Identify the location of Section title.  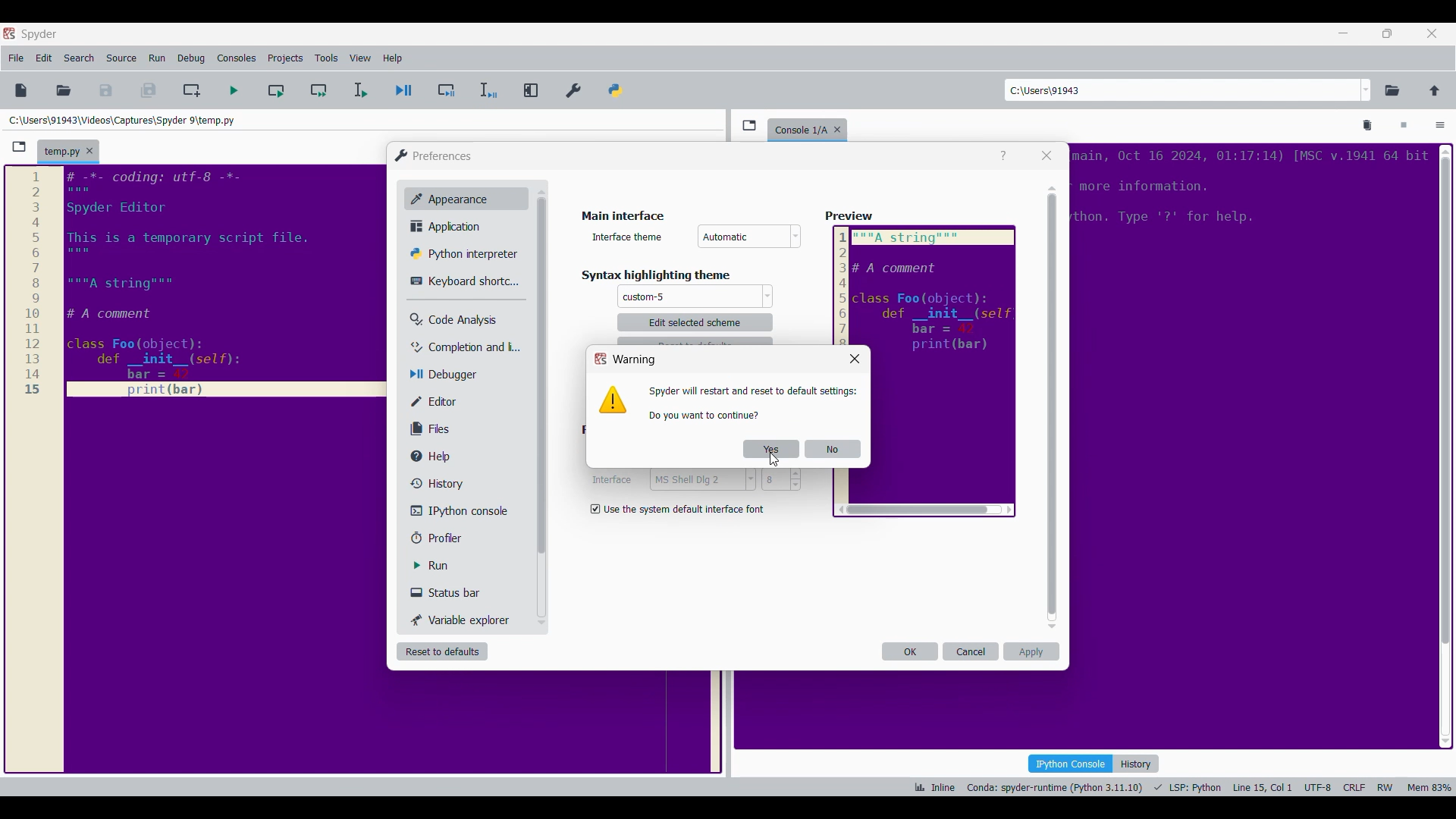
(623, 216).